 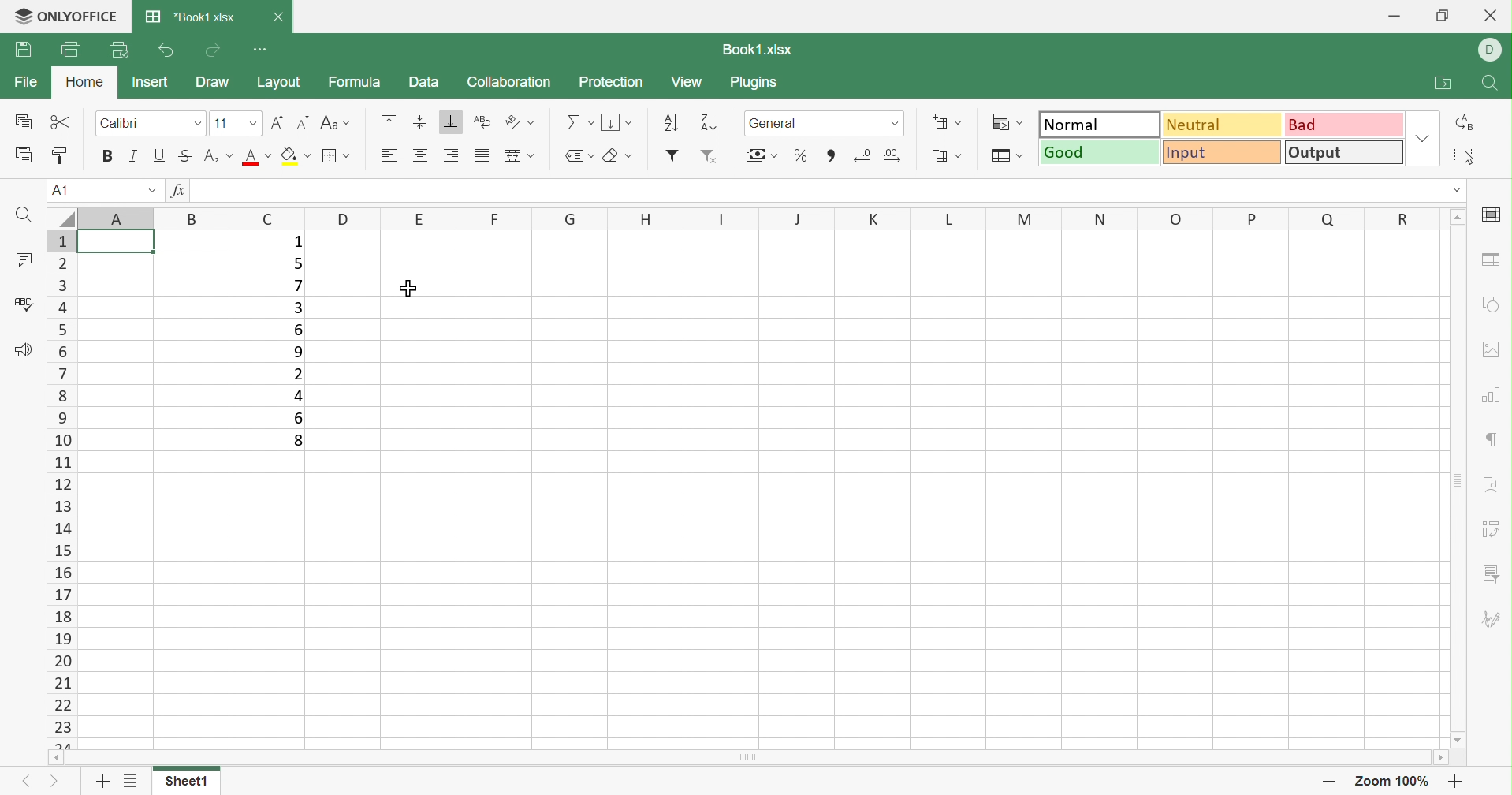 What do you see at coordinates (420, 155) in the screenshot?
I see `Align Center` at bounding box center [420, 155].